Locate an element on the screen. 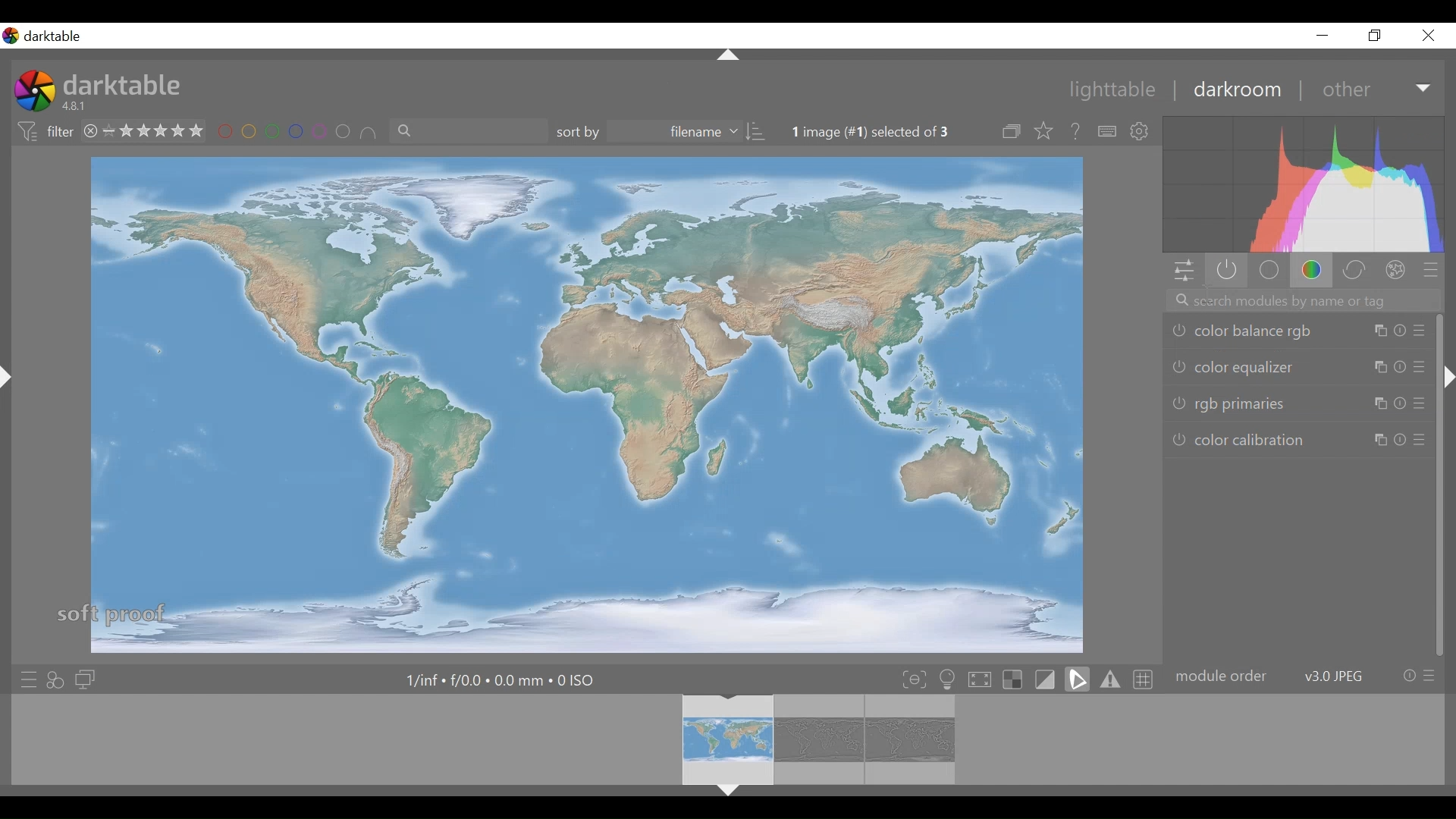 This screenshot has width=1456, height=819. sort by is located at coordinates (661, 133).